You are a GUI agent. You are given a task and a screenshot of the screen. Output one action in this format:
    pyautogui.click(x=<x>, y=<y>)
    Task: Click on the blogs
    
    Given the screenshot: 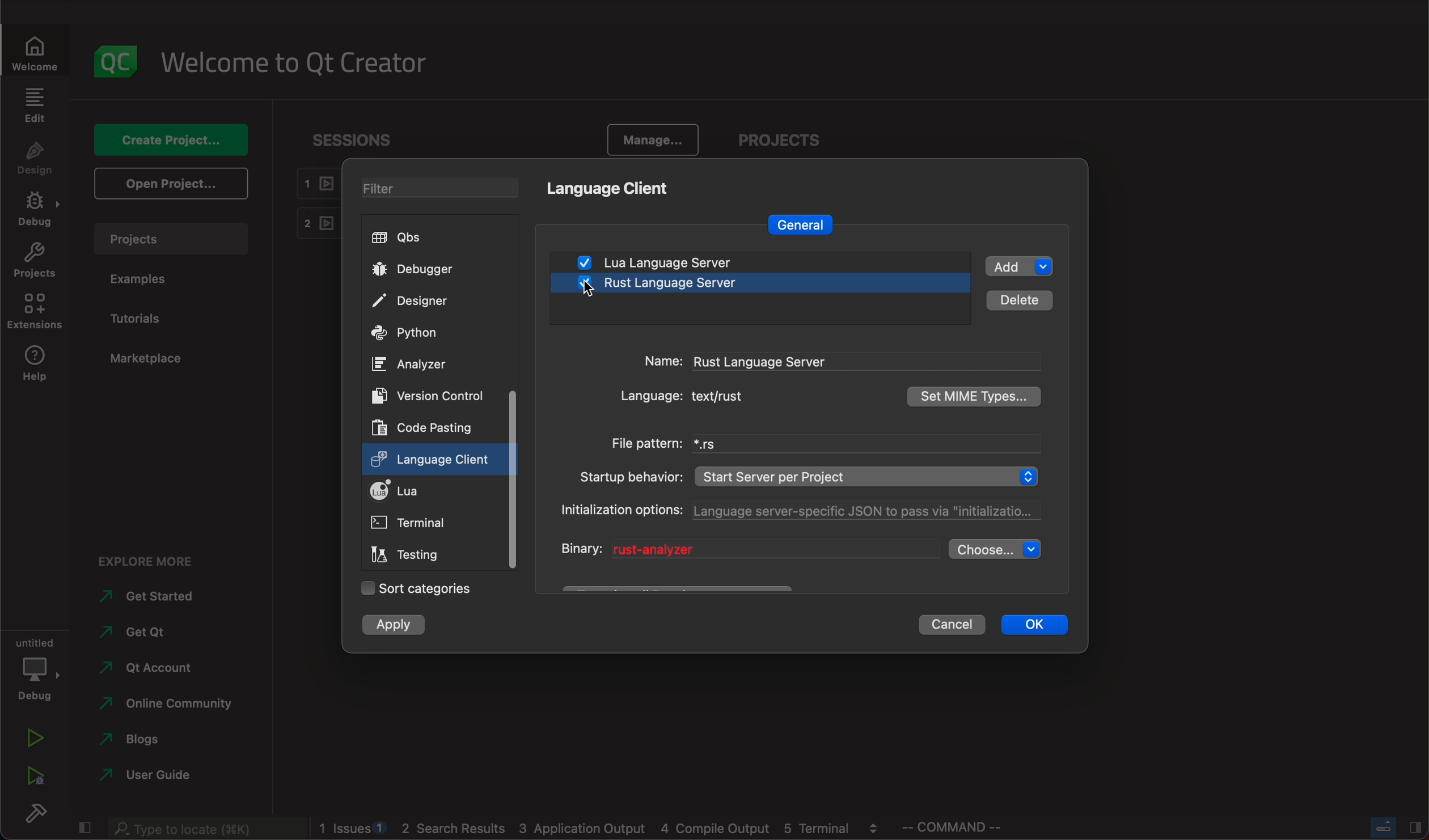 What is the action you would take?
    pyautogui.click(x=164, y=740)
    